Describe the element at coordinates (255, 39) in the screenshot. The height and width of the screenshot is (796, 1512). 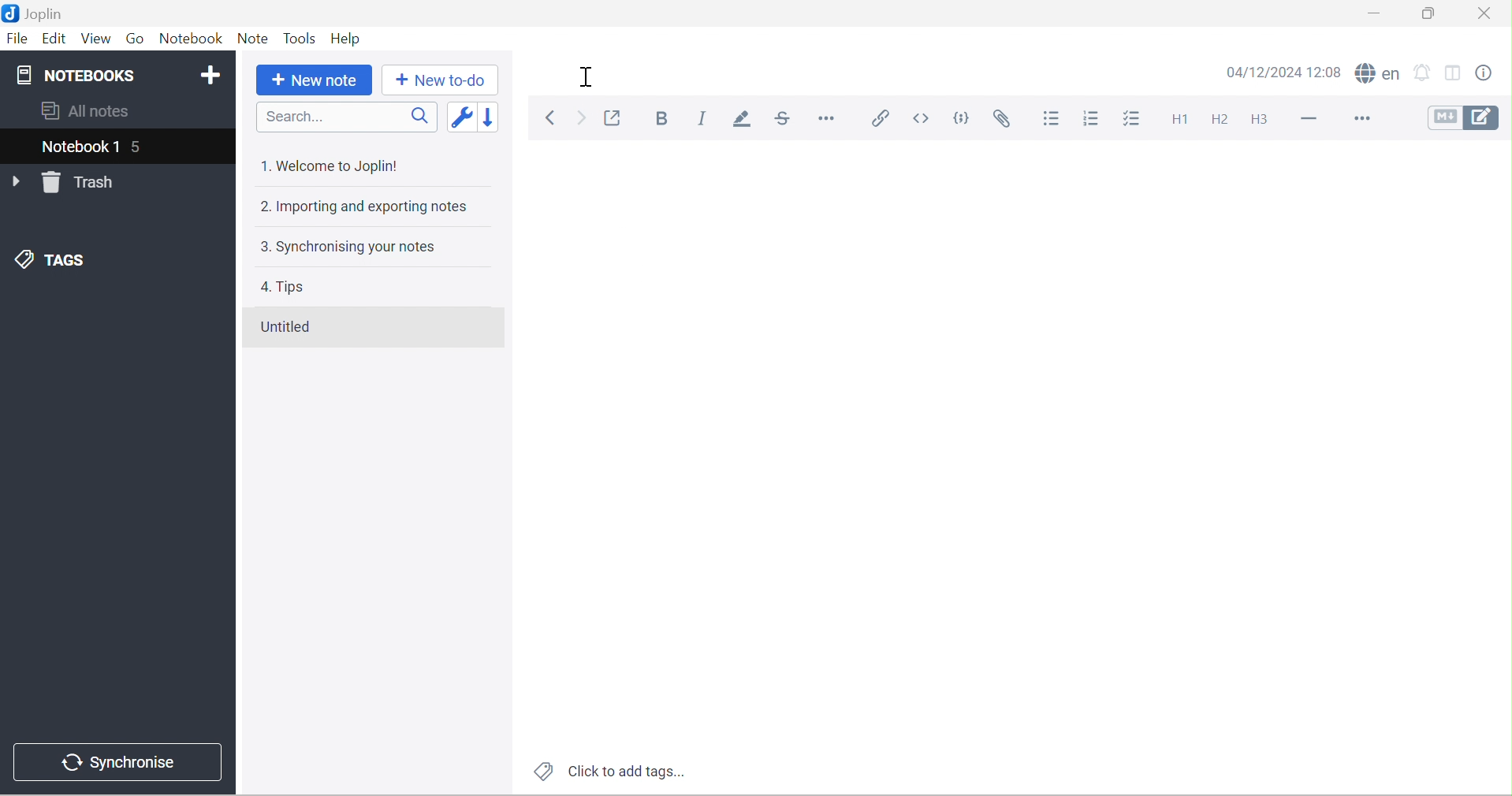
I see `Note` at that location.